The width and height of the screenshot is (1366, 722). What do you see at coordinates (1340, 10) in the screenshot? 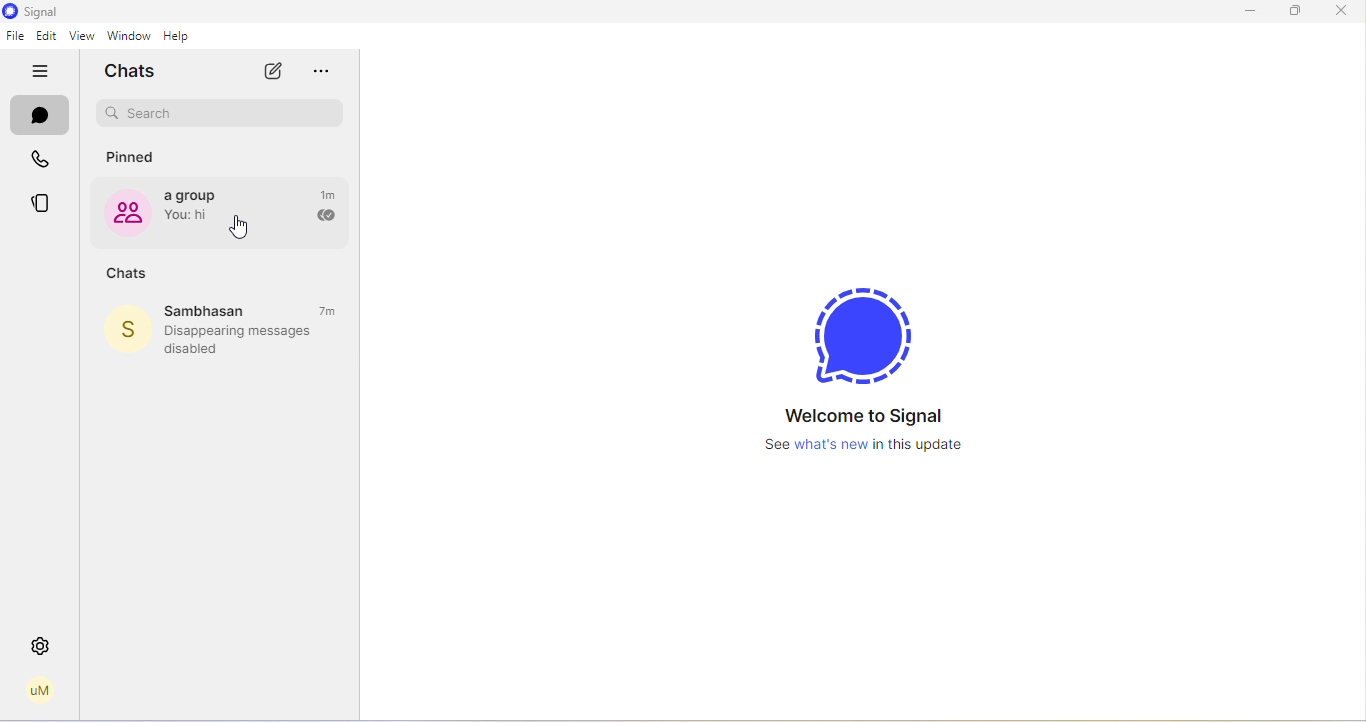
I see `close` at bounding box center [1340, 10].